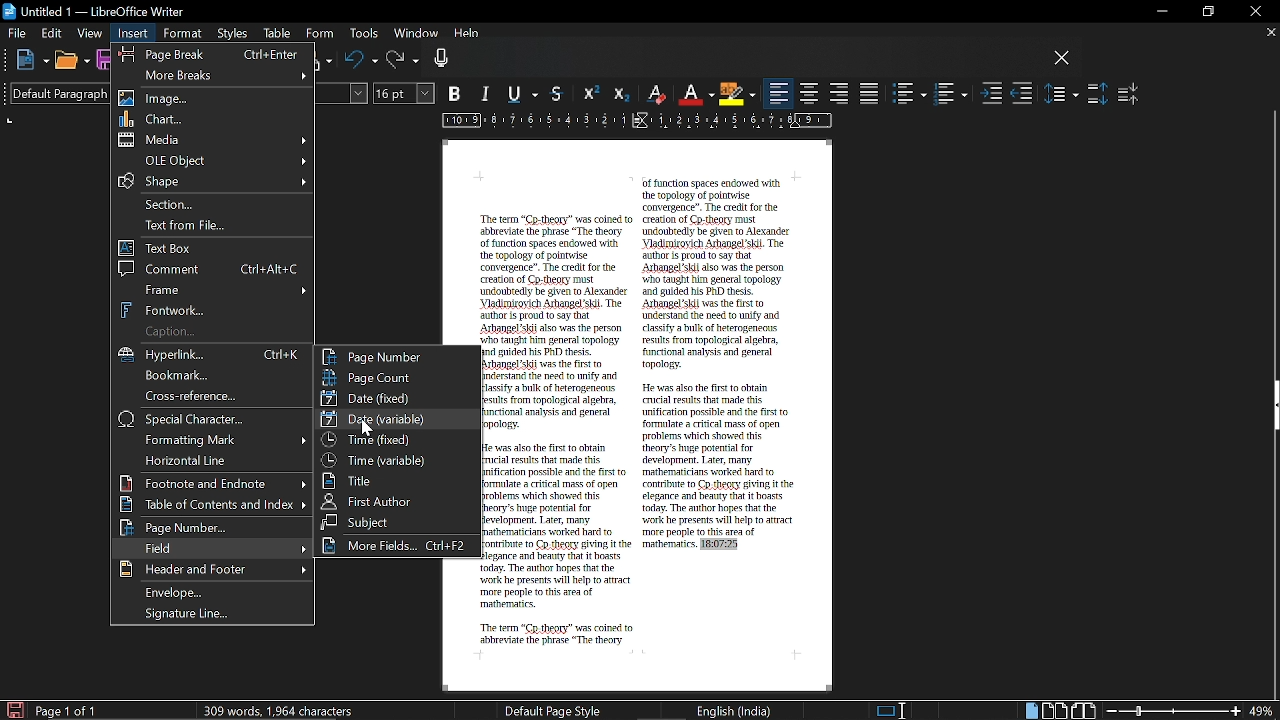  I want to click on More breaks, so click(212, 74).